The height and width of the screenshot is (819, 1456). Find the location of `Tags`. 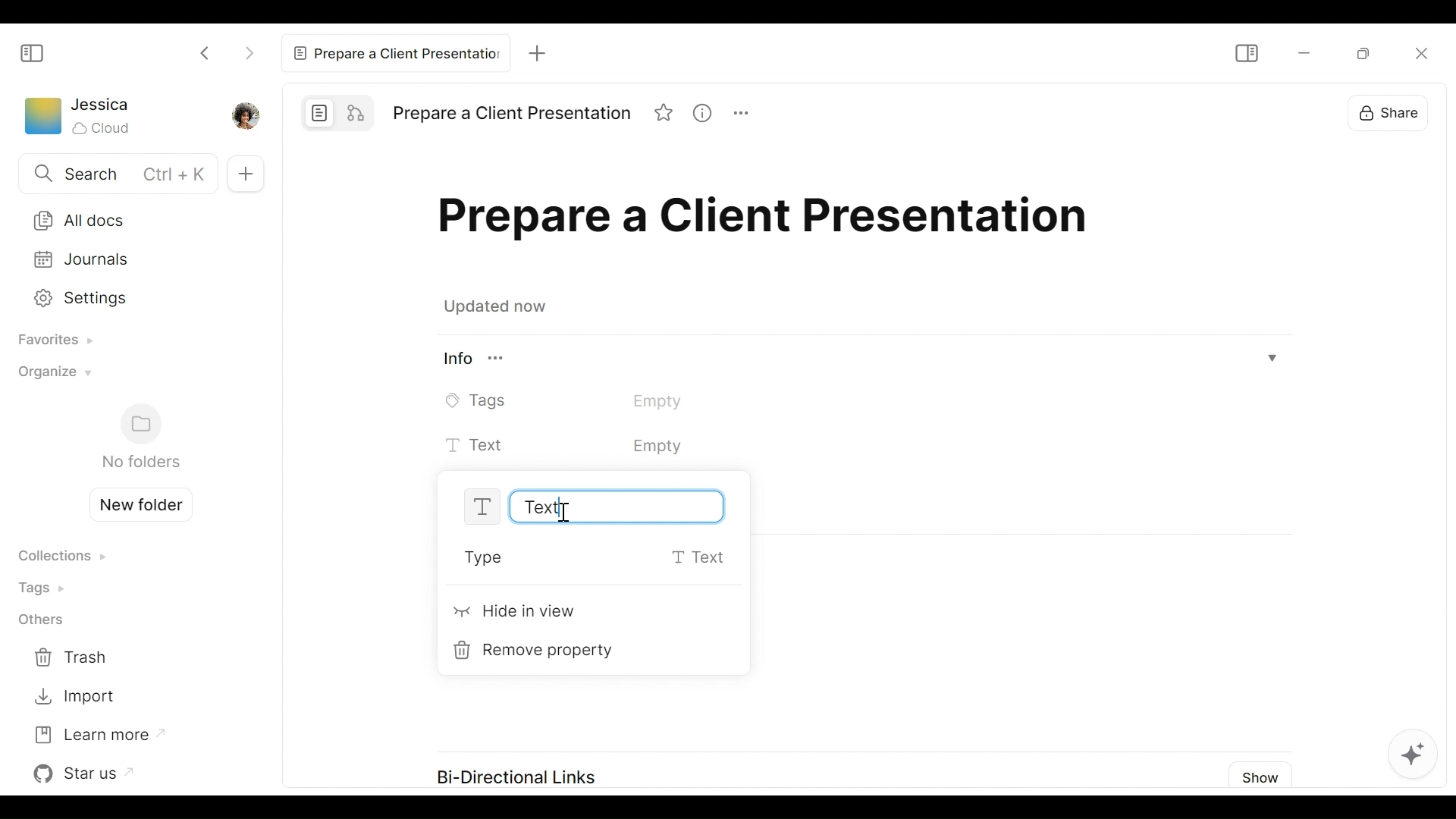

Tags is located at coordinates (46, 587).